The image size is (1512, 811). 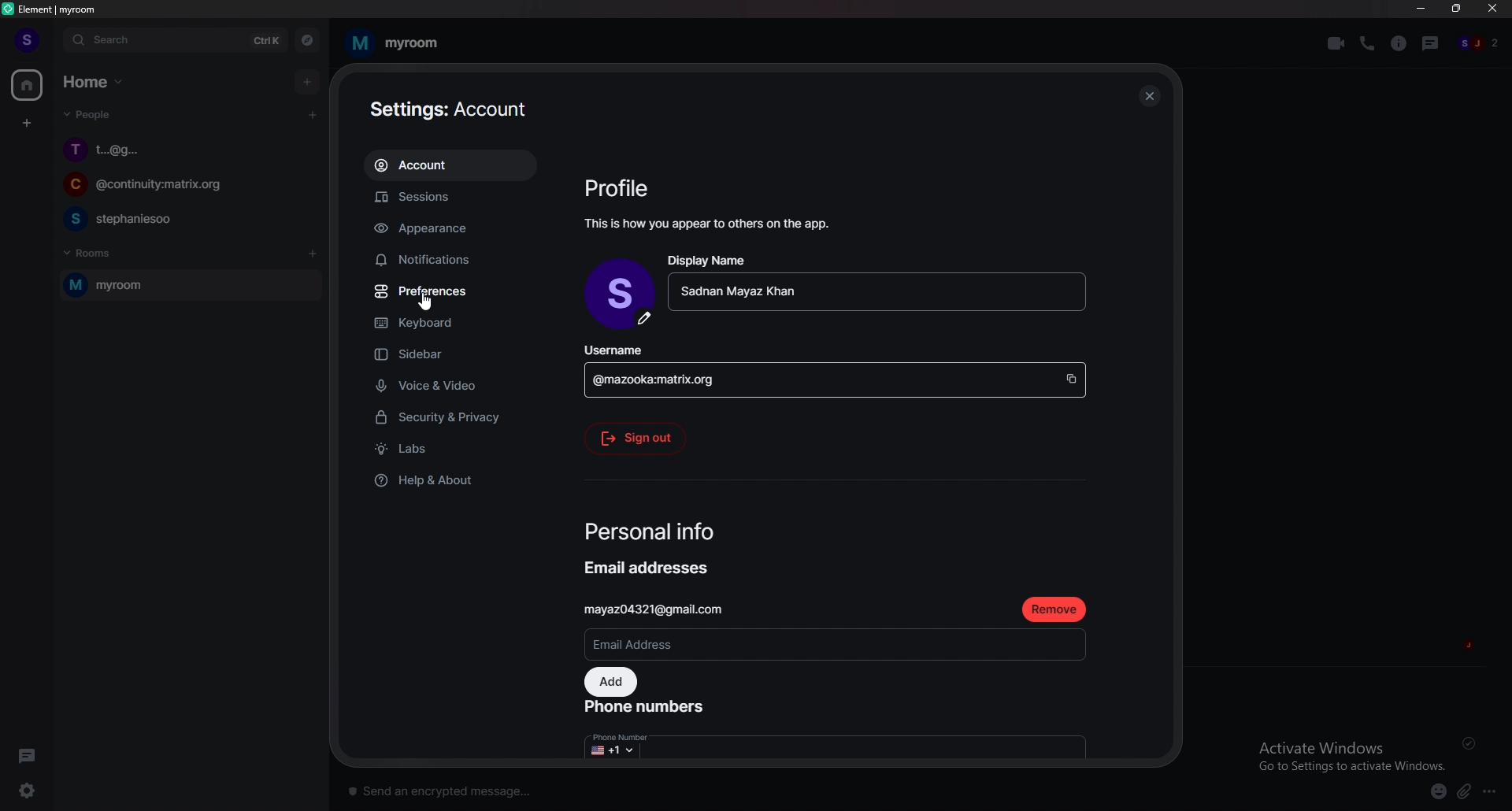 What do you see at coordinates (455, 356) in the screenshot?
I see `sidebar` at bounding box center [455, 356].